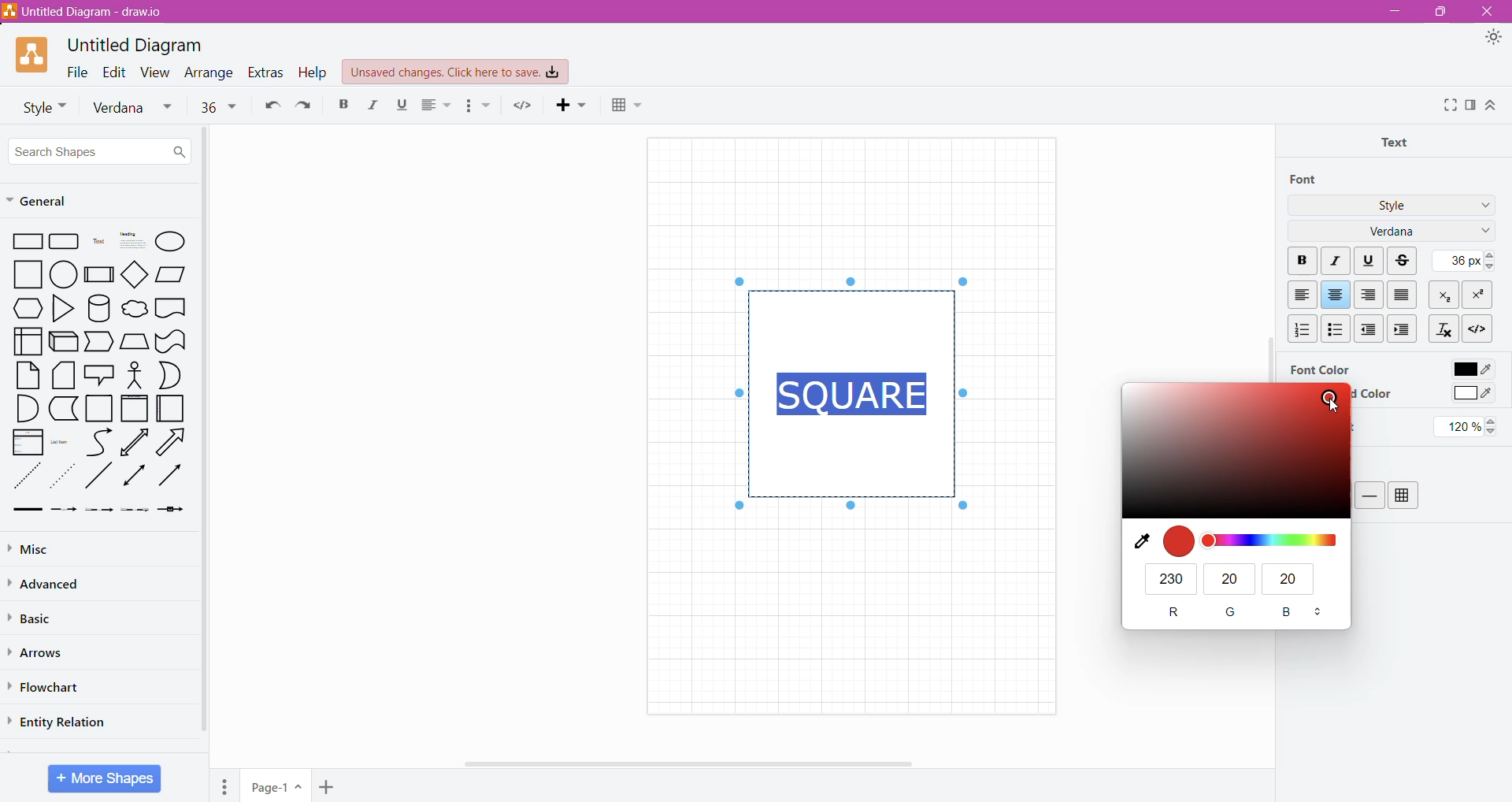 The height and width of the screenshot is (802, 1512). I want to click on G, so click(1232, 612).